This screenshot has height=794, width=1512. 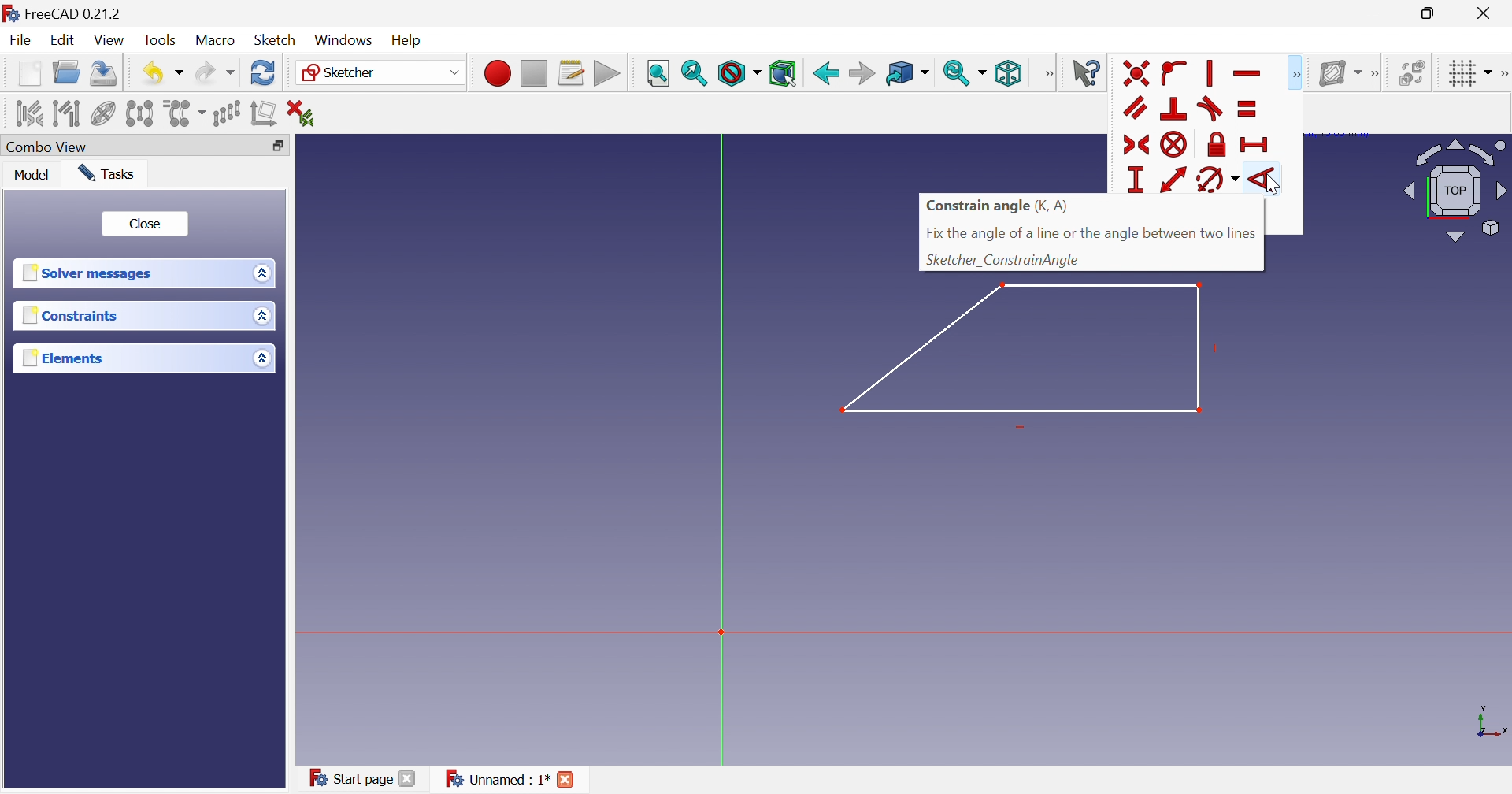 What do you see at coordinates (1175, 72) in the screenshot?
I see `constraint point onto object` at bounding box center [1175, 72].